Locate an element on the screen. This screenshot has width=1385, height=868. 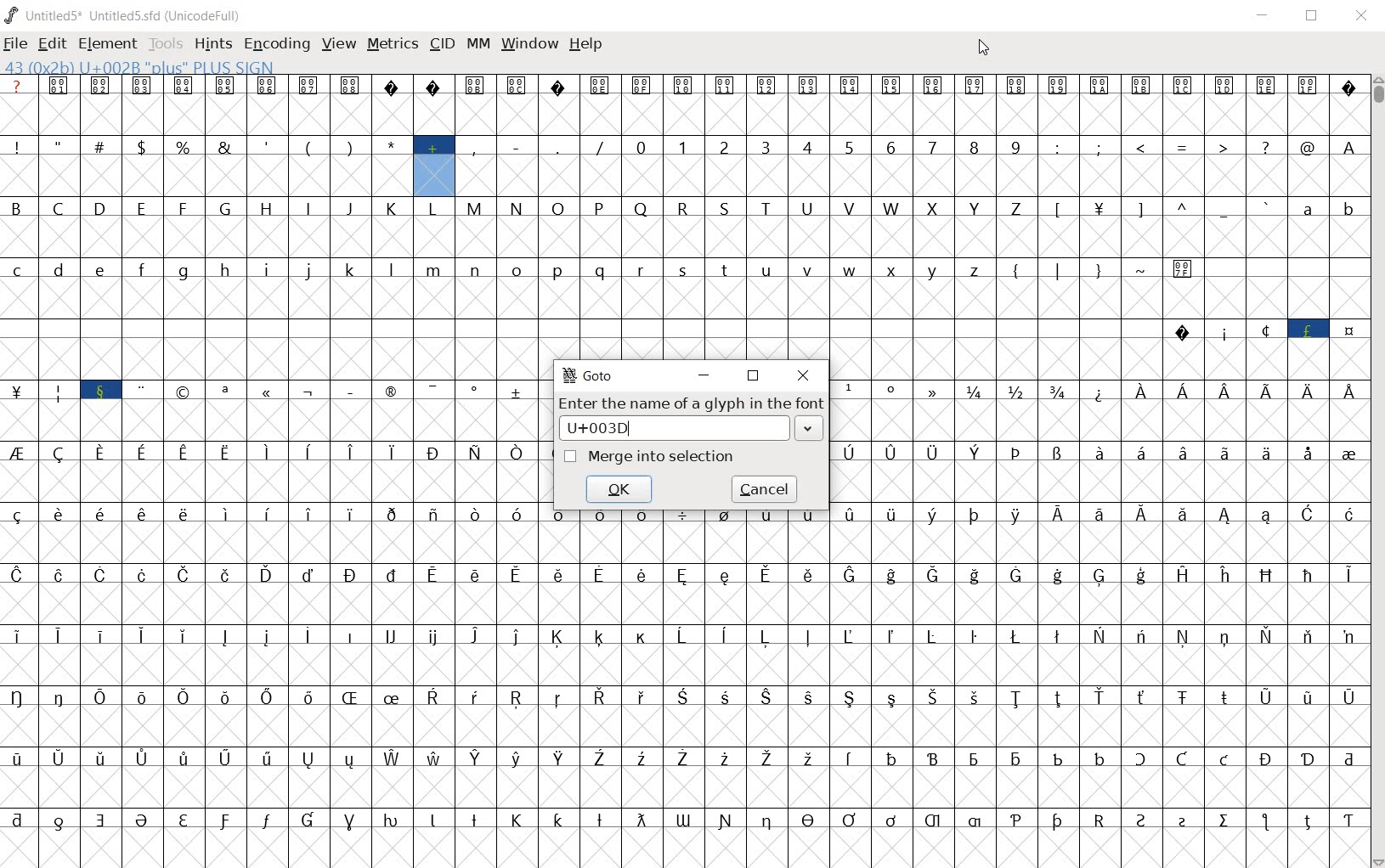
cursor is located at coordinates (983, 49).